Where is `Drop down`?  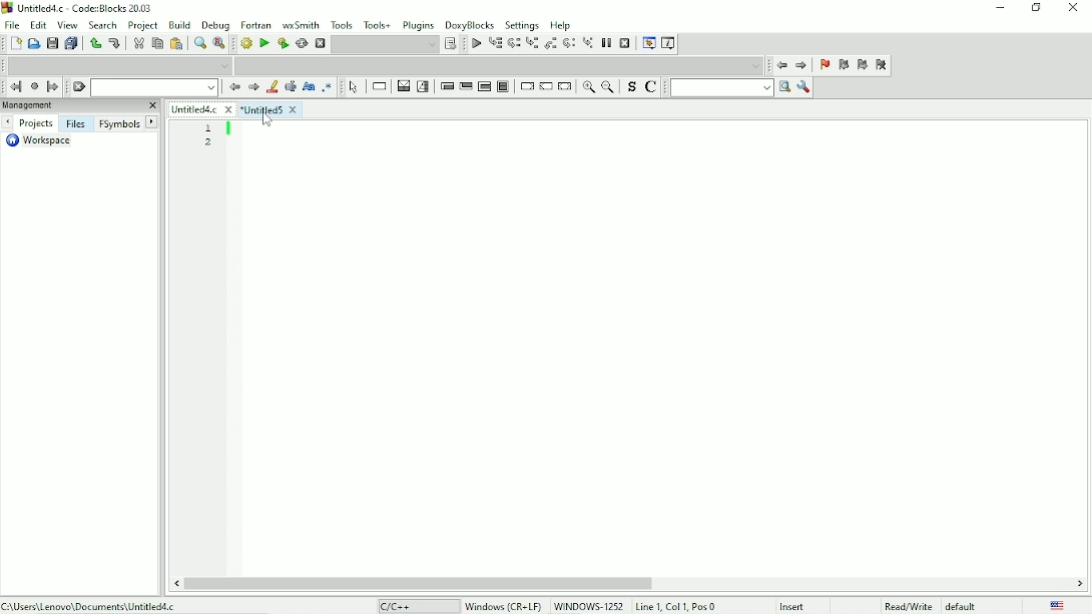
Drop down is located at coordinates (154, 87).